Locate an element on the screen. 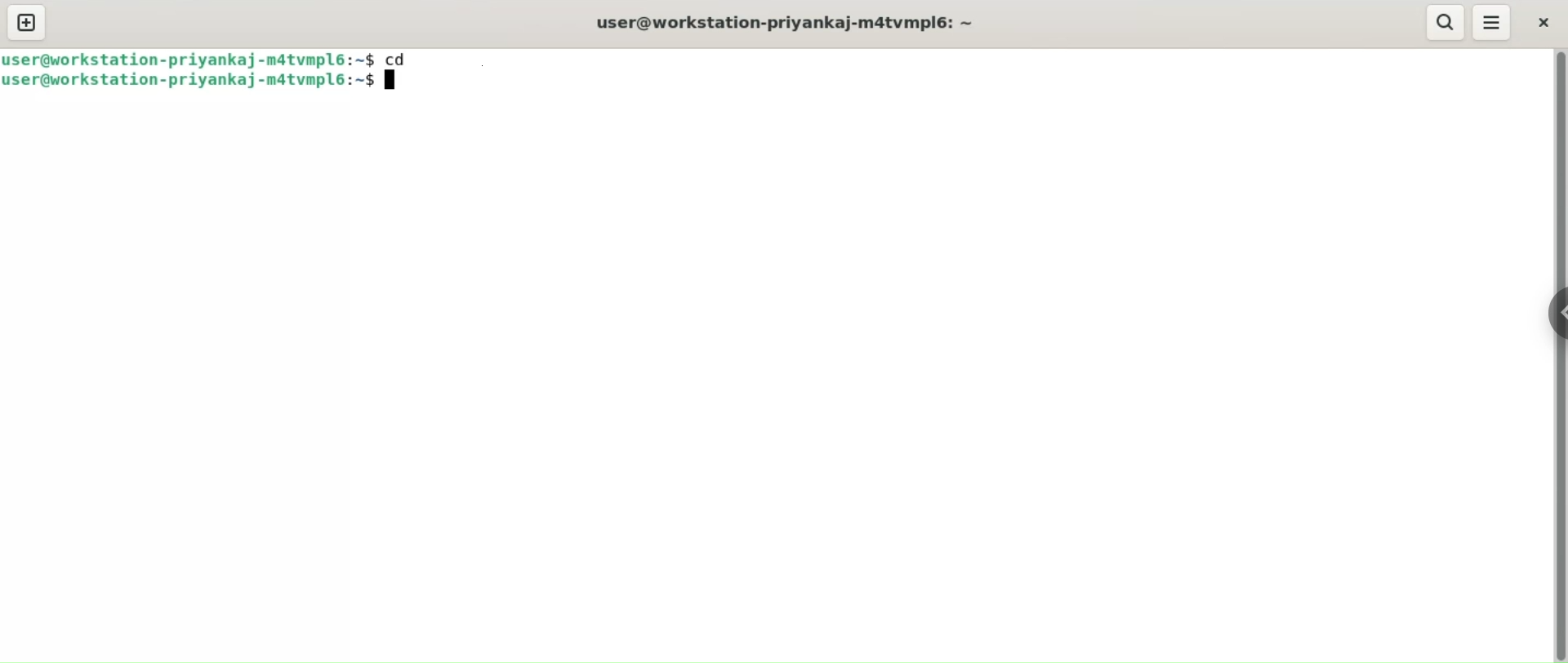 The height and width of the screenshot is (663, 1568). user@workstation-priyankaj-m4atvmpl6:~$ is located at coordinates (199, 82).